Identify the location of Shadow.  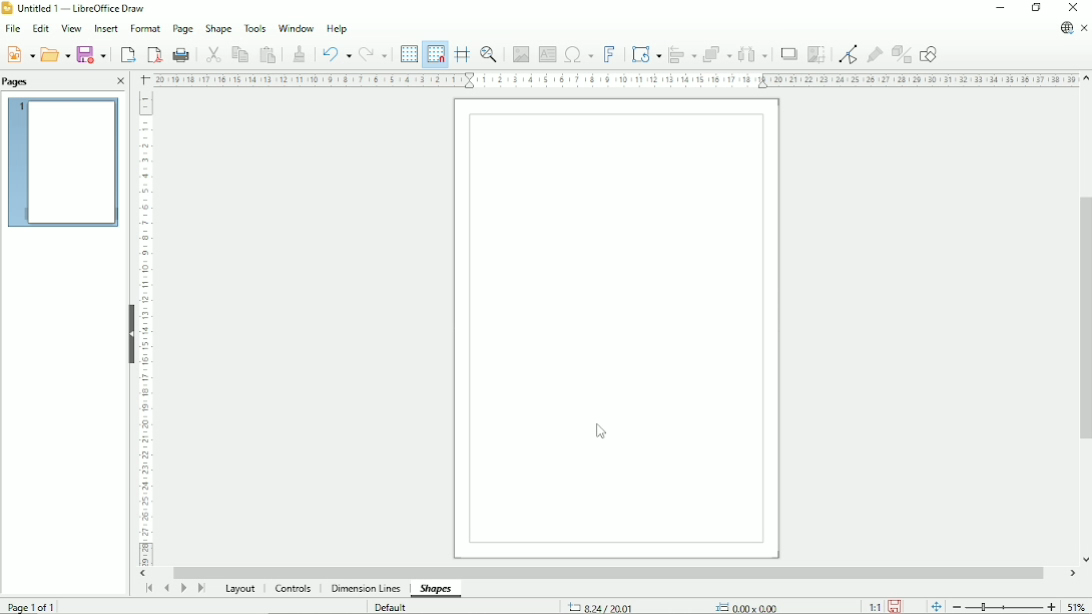
(787, 55).